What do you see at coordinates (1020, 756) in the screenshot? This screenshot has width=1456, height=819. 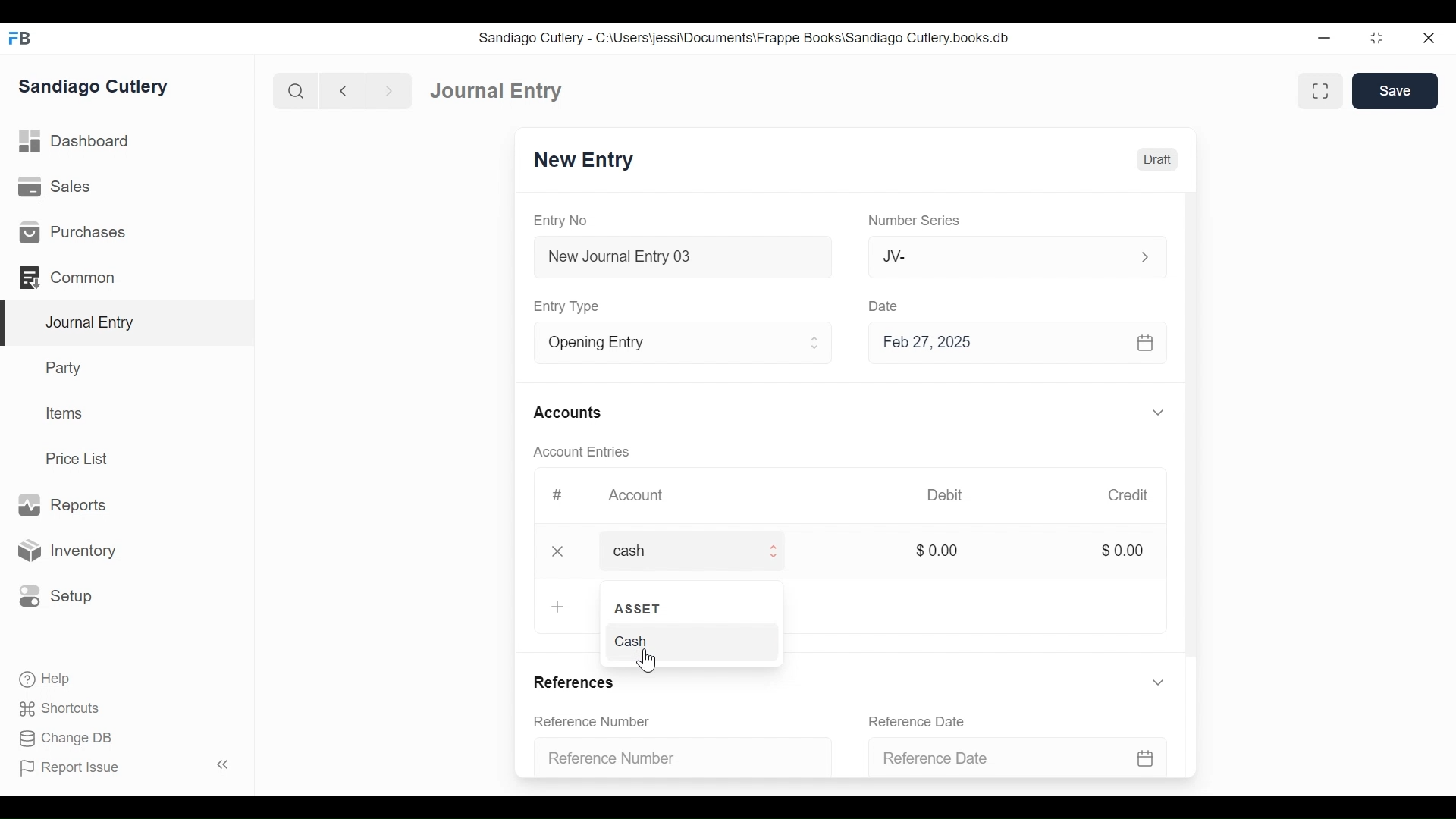 I see `Reference Date` at bounding box center [1020, 756].